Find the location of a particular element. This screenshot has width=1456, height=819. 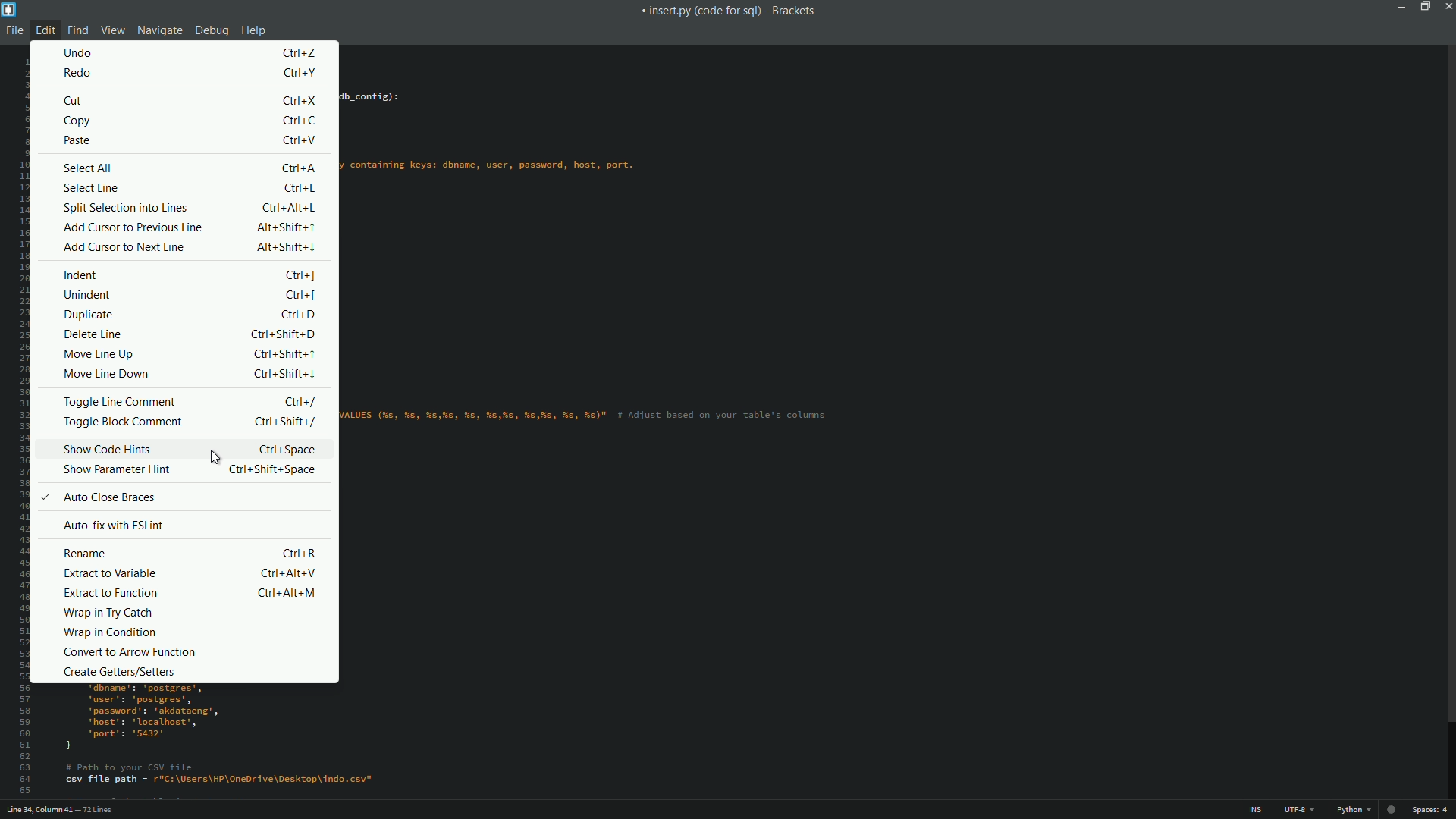

keyboard shortcut is located at coordinates (300, 403).